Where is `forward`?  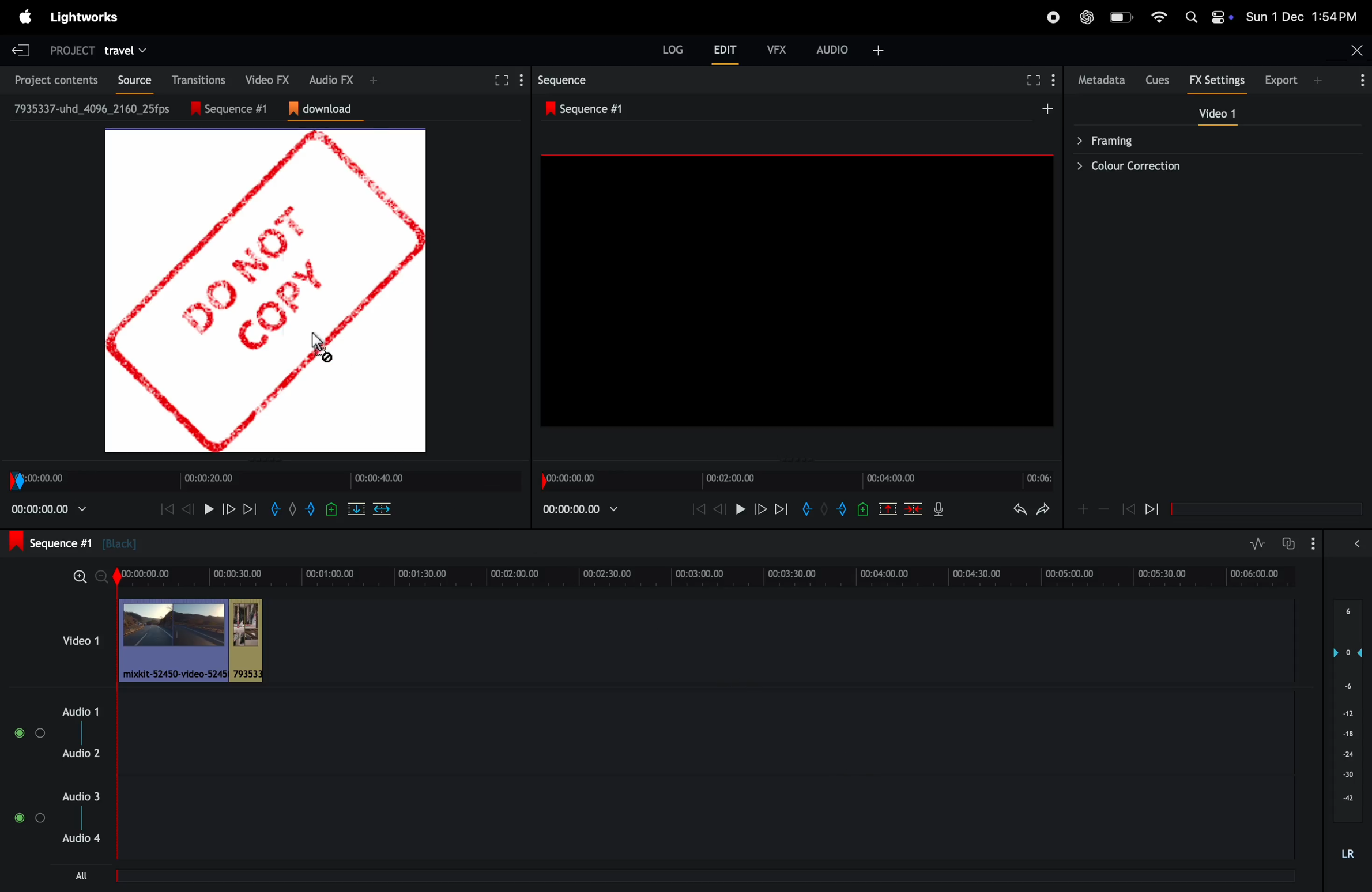 forward is located at coordinates (760, 508).